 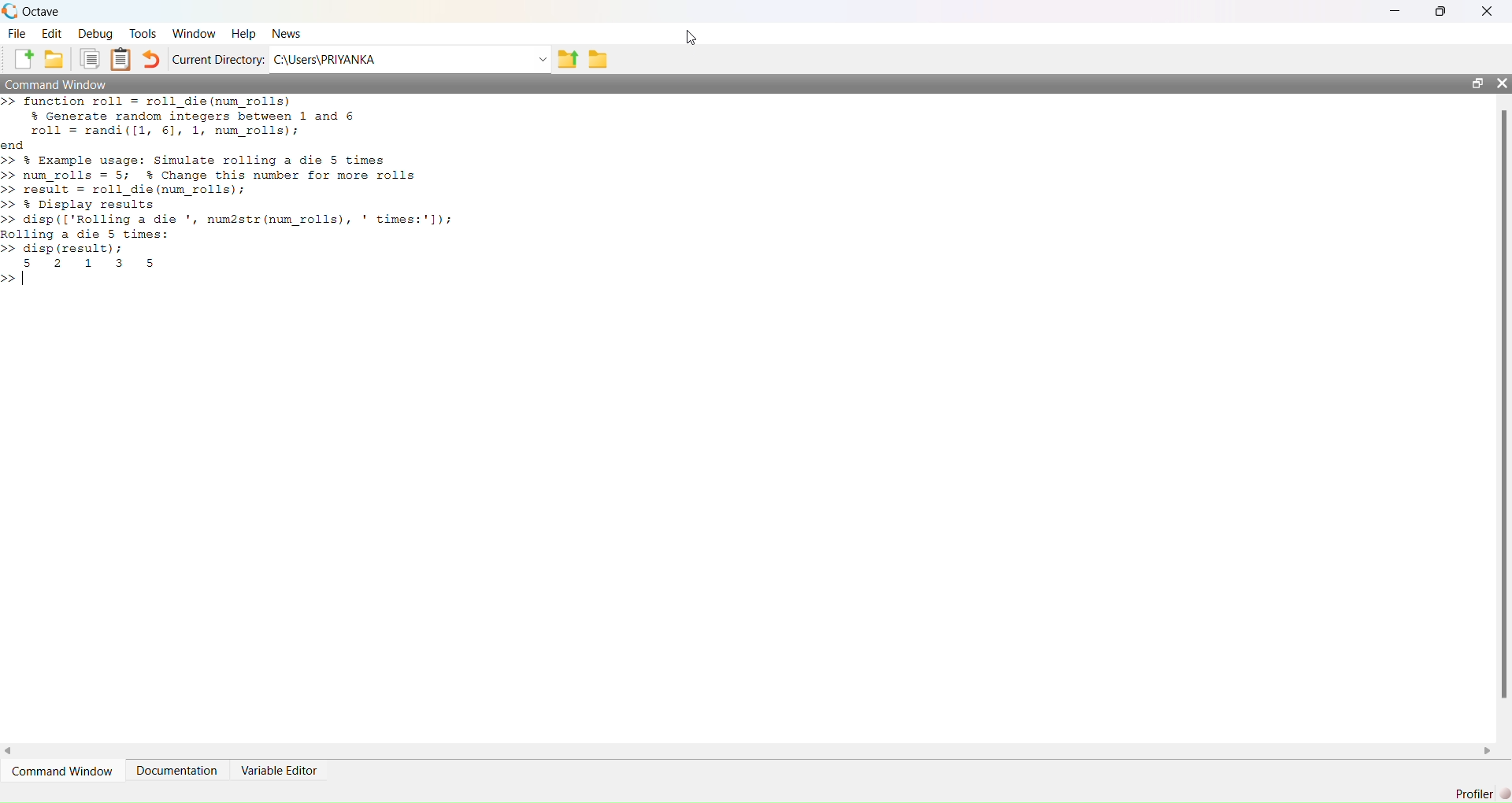 What do you see at coordinates (50, 34) in the screenshot?
I see `edit` at bounding box center [50, 34].